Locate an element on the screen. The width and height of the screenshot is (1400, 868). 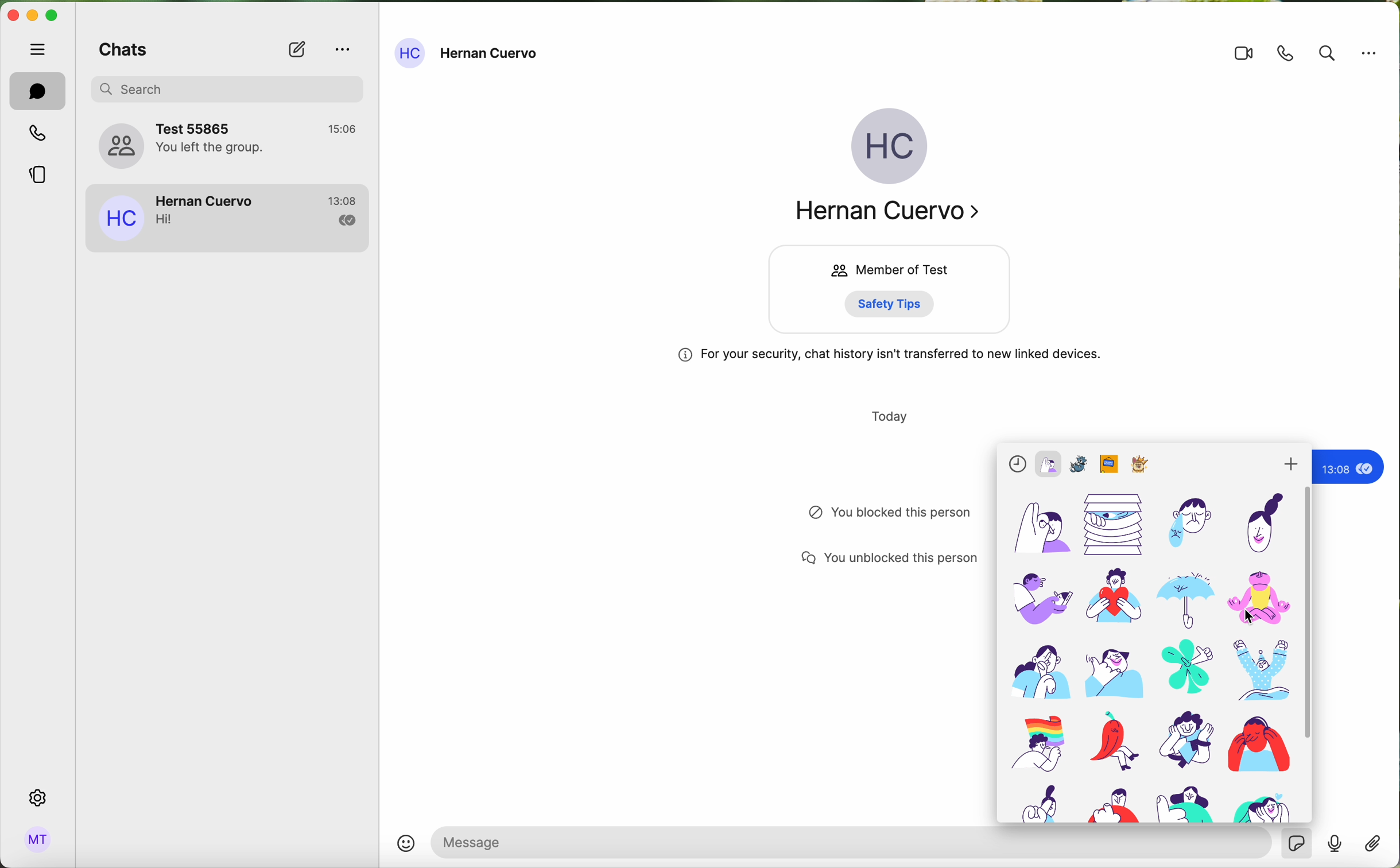
Hernan Cuvero is located at coordinates (893, 214).